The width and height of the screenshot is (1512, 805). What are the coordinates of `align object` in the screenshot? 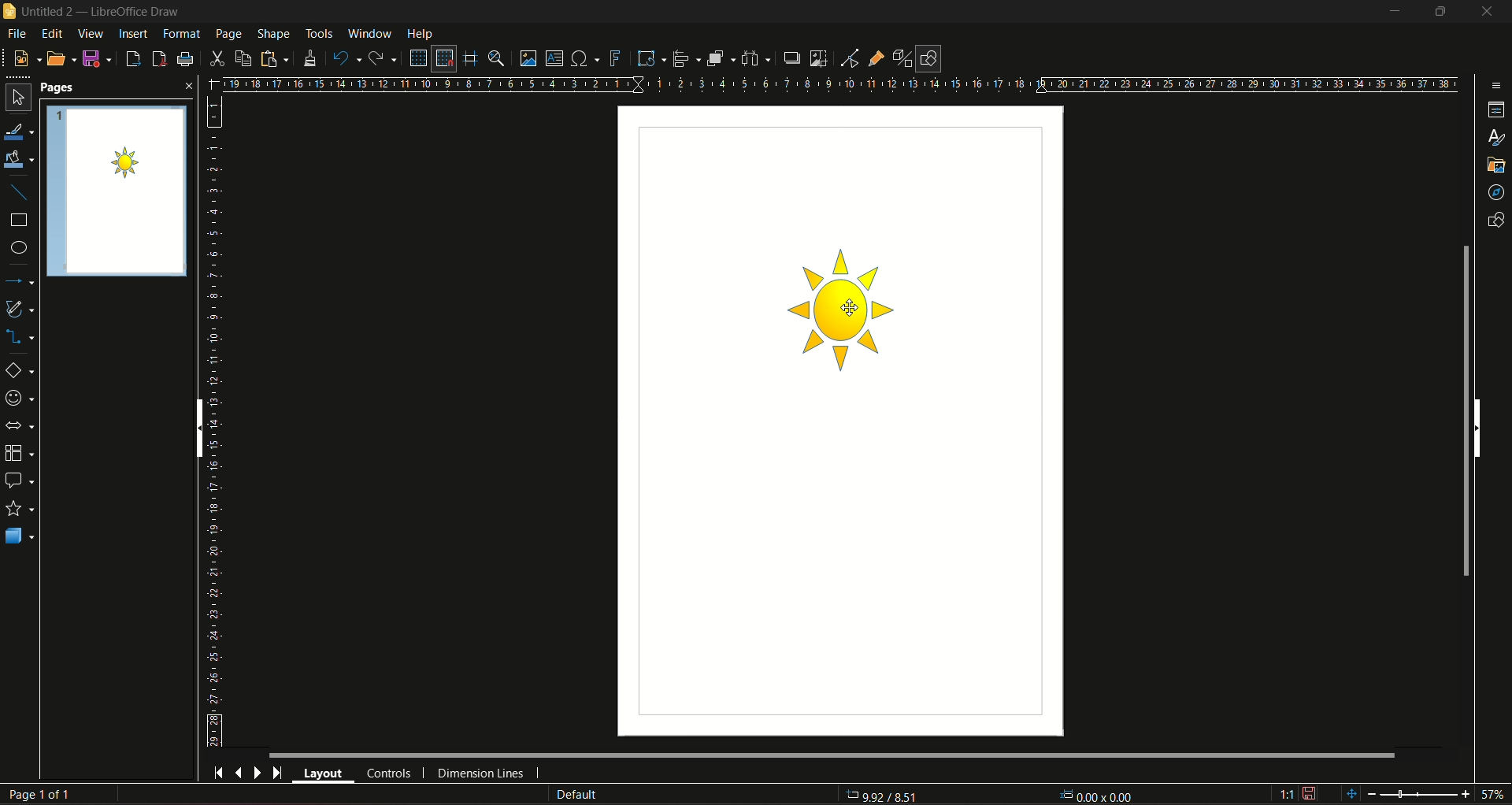 It's located at (686, 57).